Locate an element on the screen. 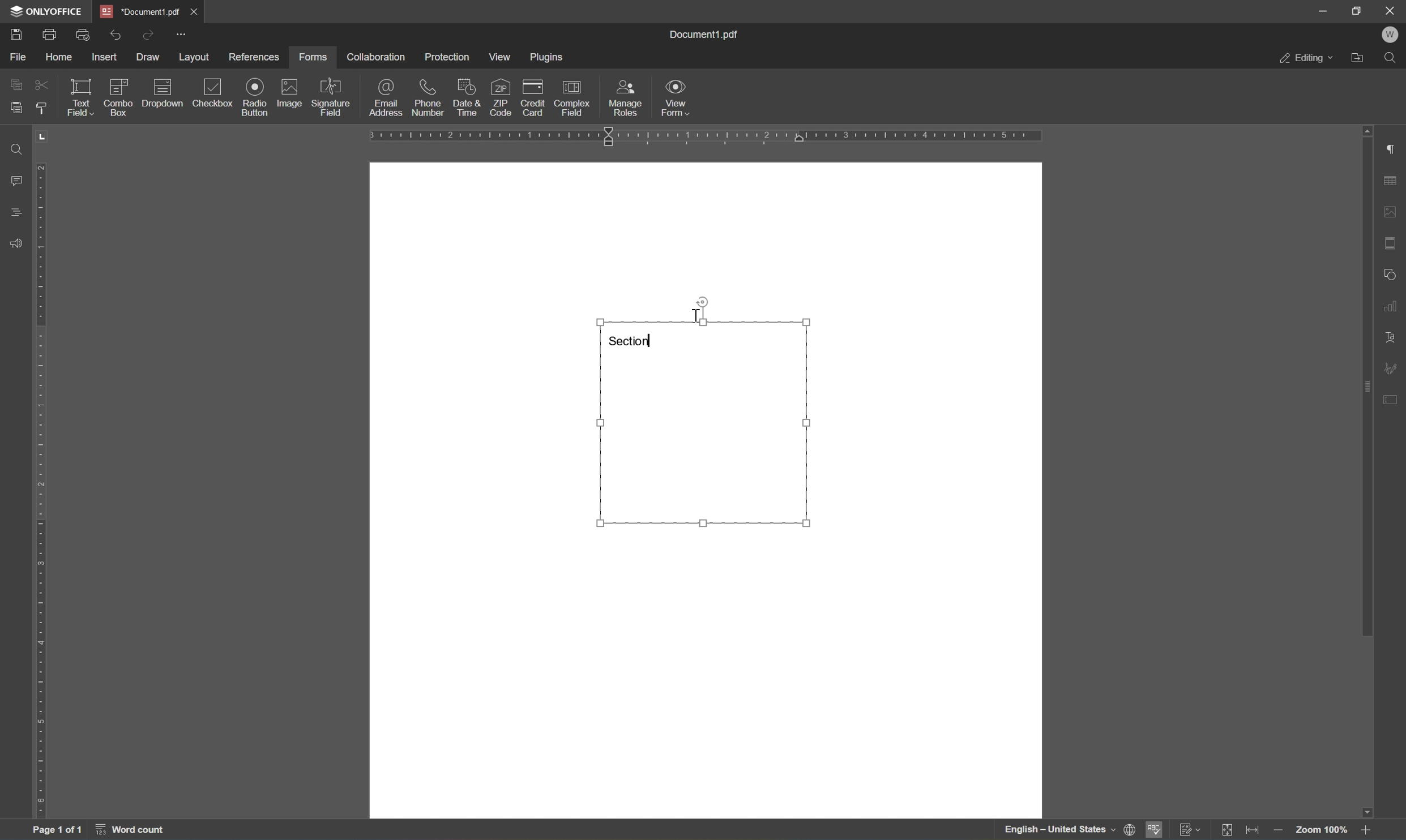 The image size is (1406, 840). copy is located at coordinates (17, 83).